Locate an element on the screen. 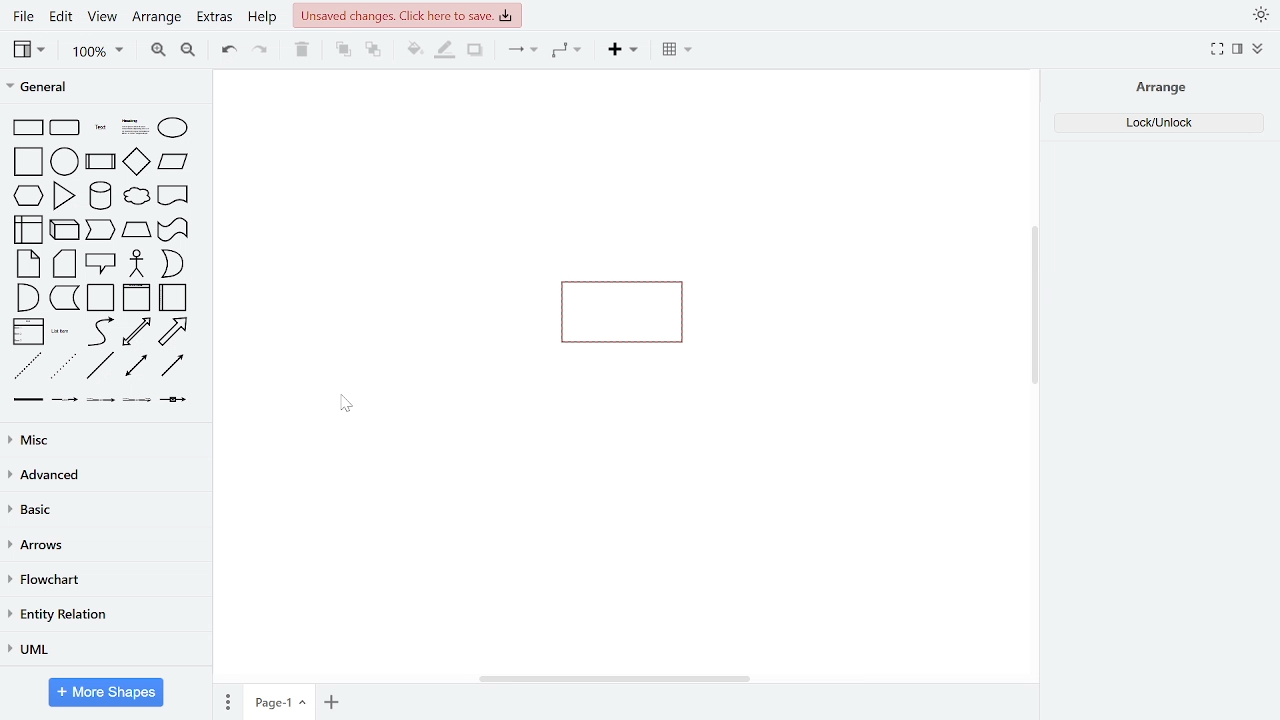 The image size is (1280, 720). Cursor Position AFTER_LAST_ACTION is located at coordinates (351, 405).